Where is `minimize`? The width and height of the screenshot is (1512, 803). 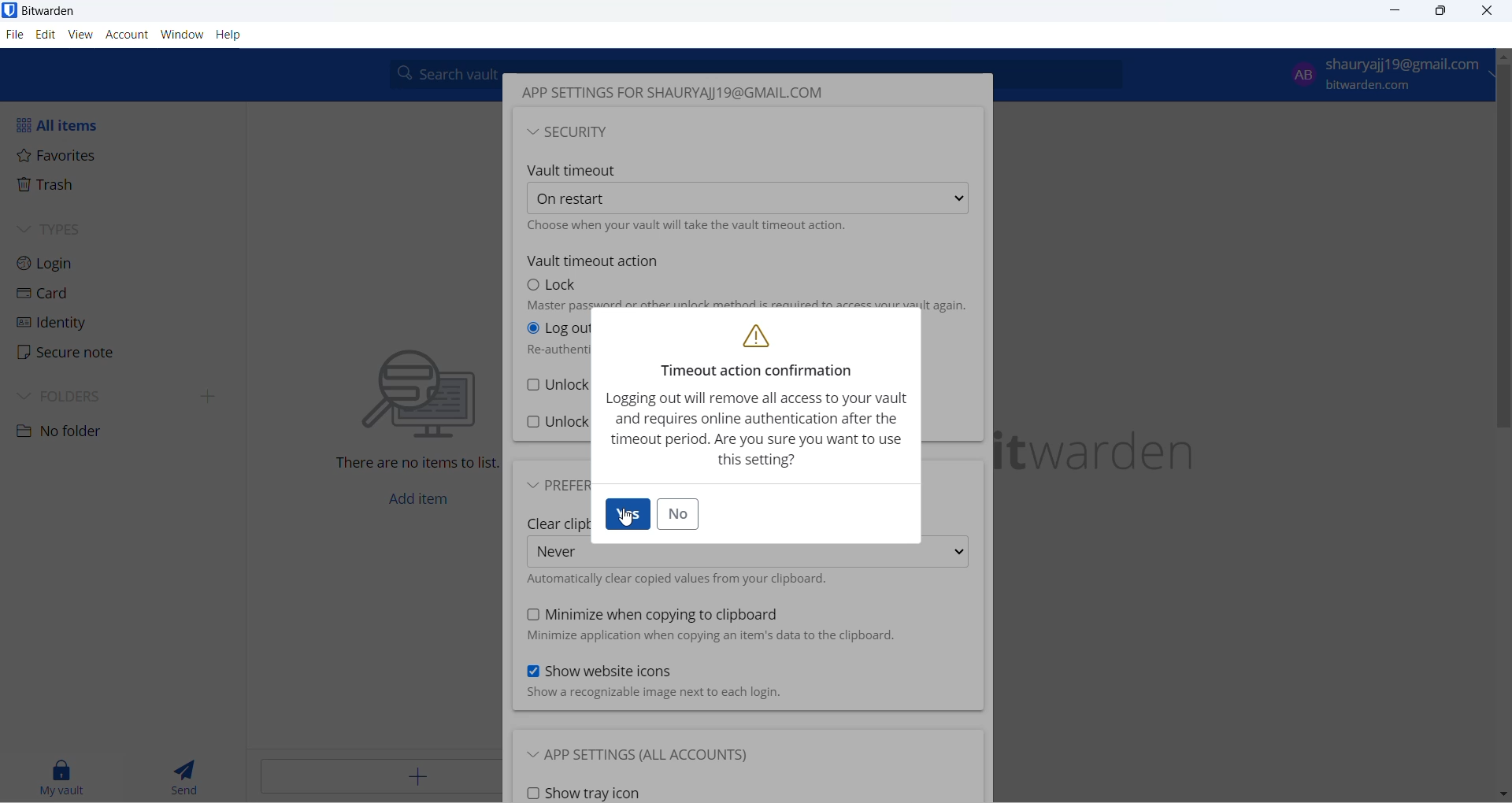 minimize is located at coordinates (1401, 13).